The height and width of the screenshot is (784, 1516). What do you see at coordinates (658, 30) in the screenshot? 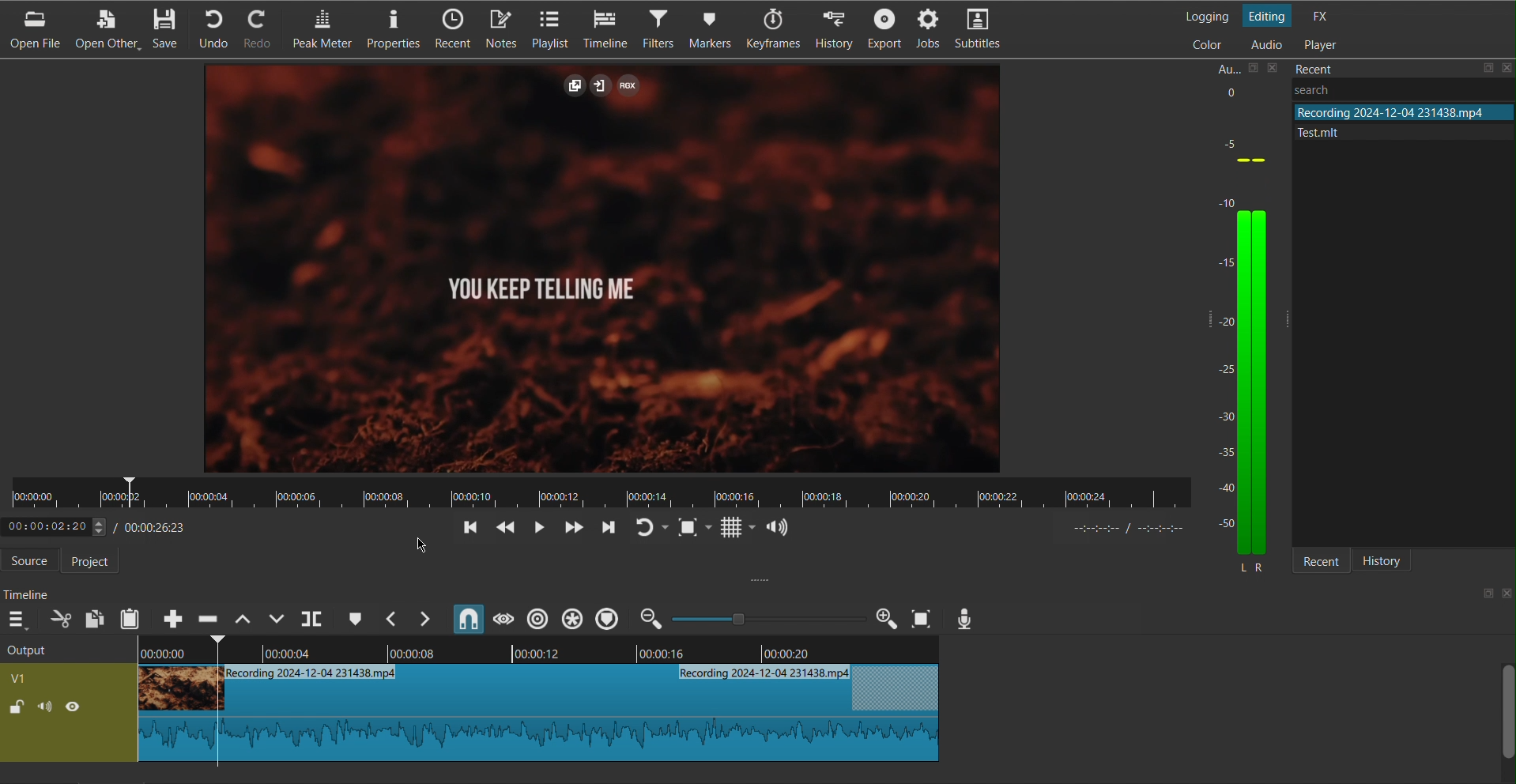
I see `Filters` at bounding box center [658, 30].